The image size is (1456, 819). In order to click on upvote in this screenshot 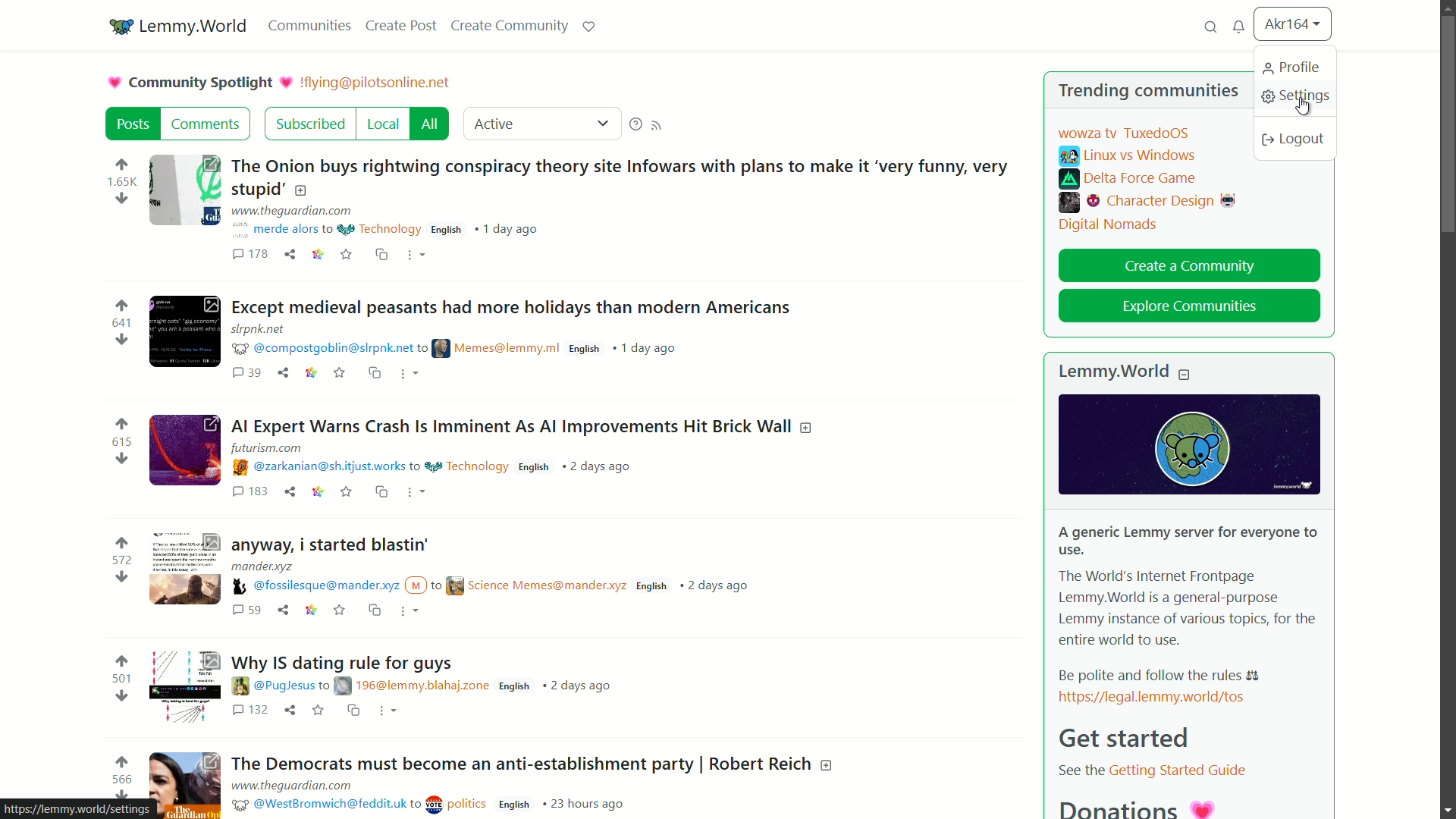, I will do `click(120, 761)`.